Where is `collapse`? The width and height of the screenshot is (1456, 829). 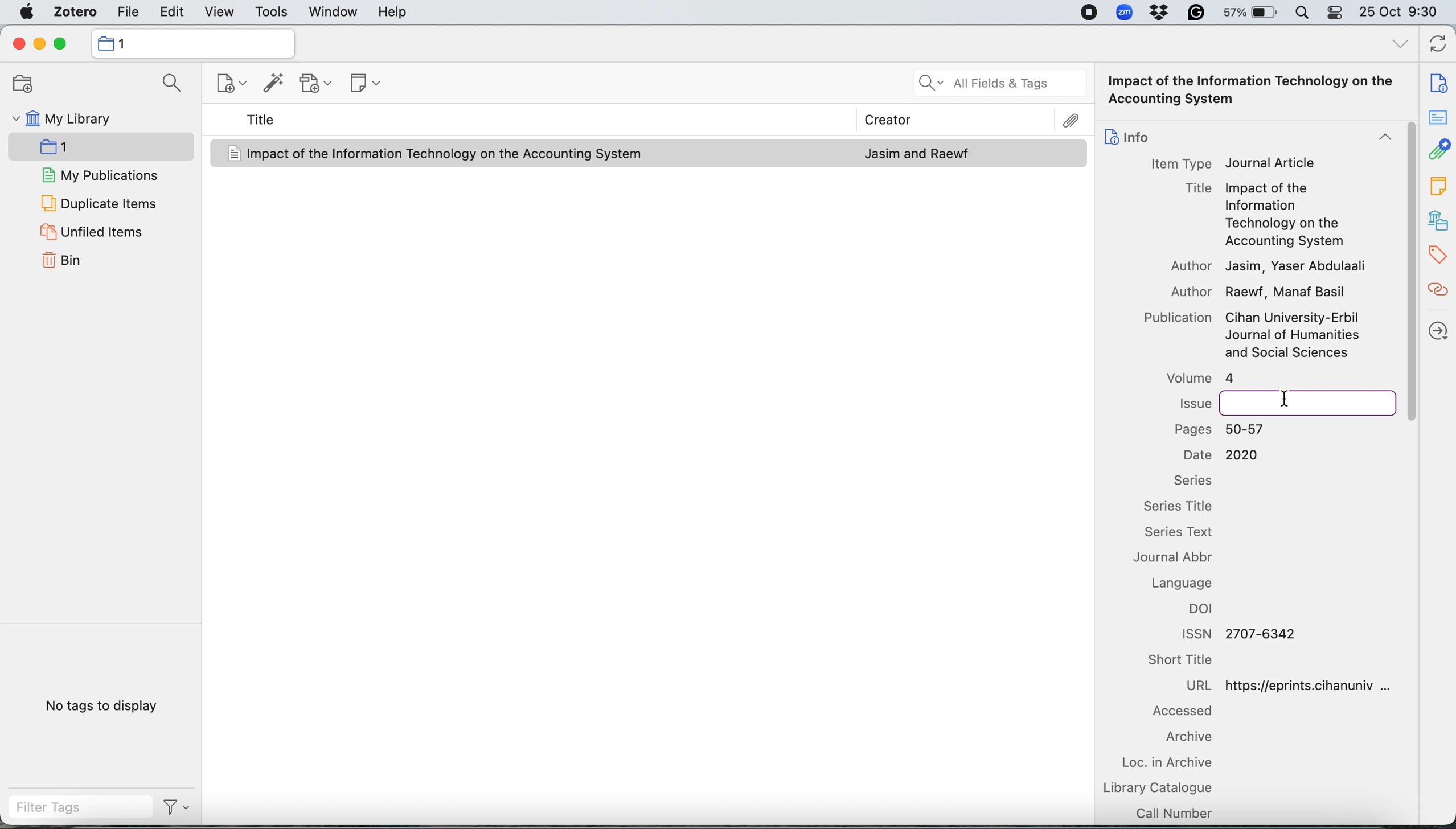
collapse is located at coordinates (1379, 139).